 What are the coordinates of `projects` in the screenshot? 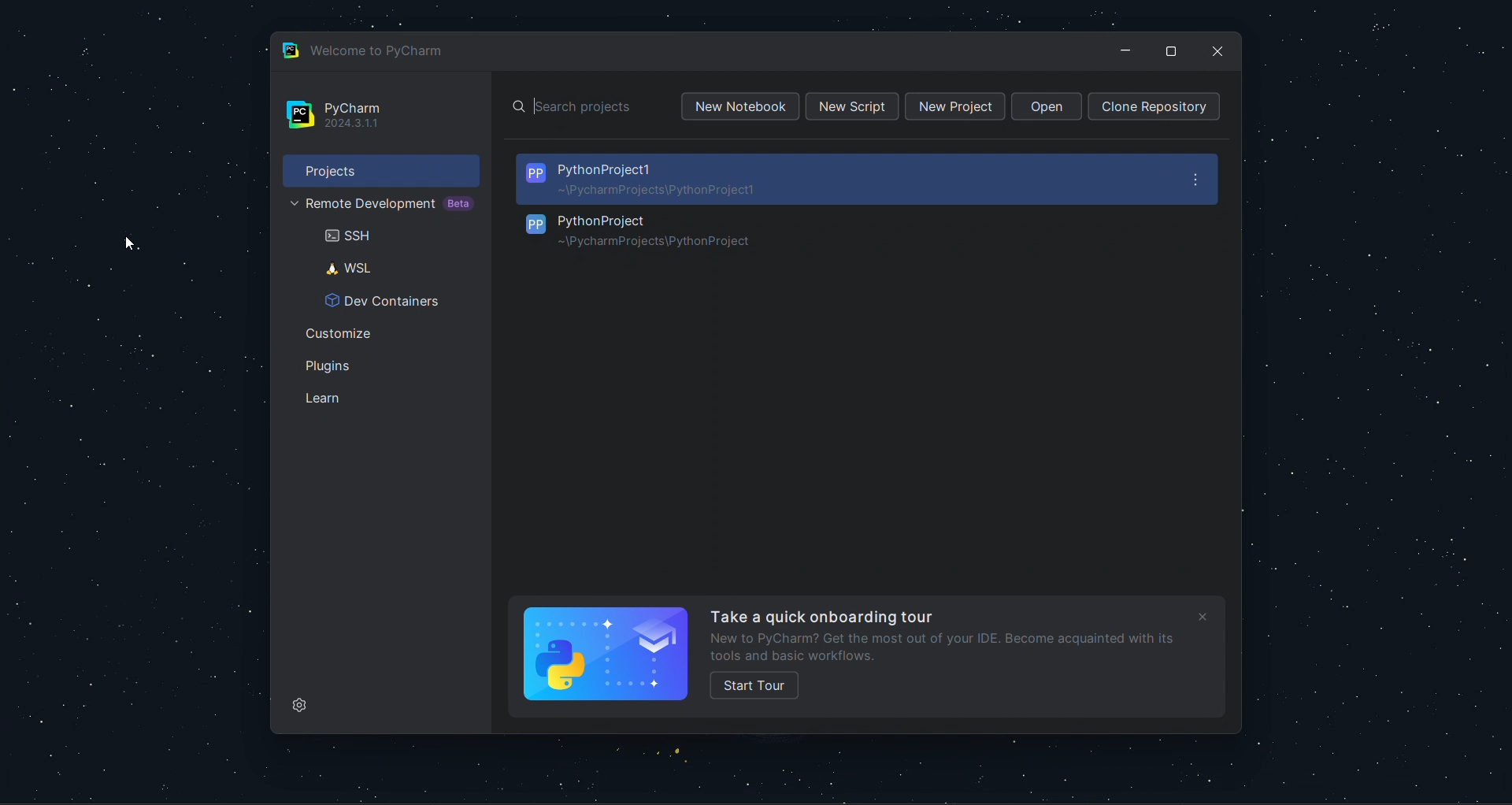 It's located at (384, 171).